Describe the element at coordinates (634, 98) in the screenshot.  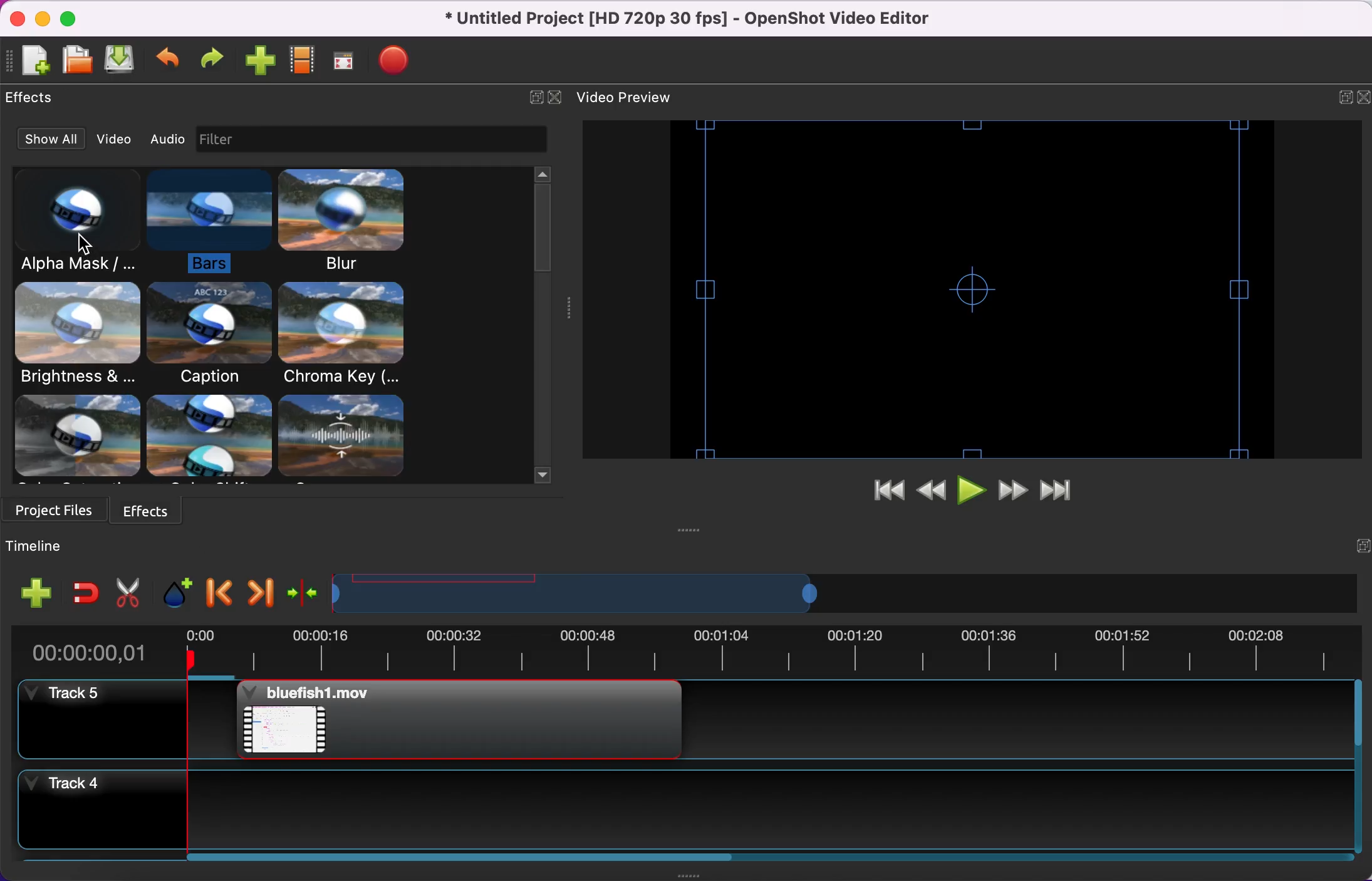
I see `video preview` at that location.